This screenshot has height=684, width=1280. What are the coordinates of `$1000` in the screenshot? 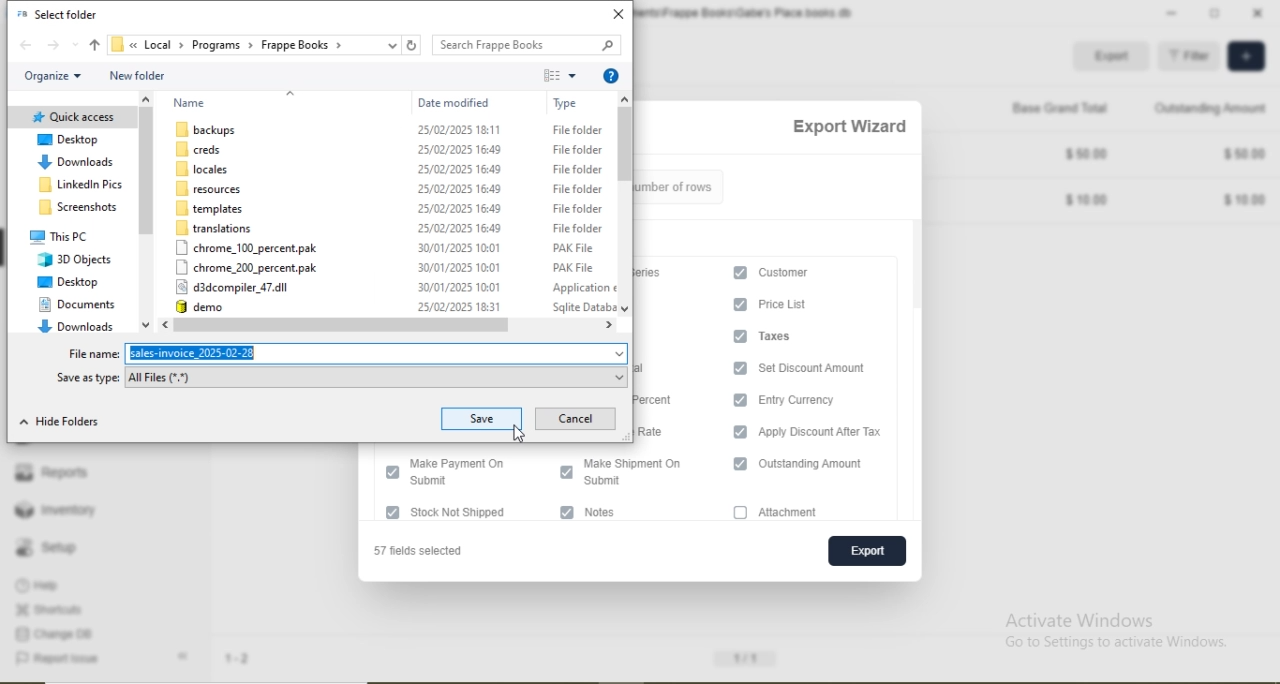 It's located at (1088, 202).